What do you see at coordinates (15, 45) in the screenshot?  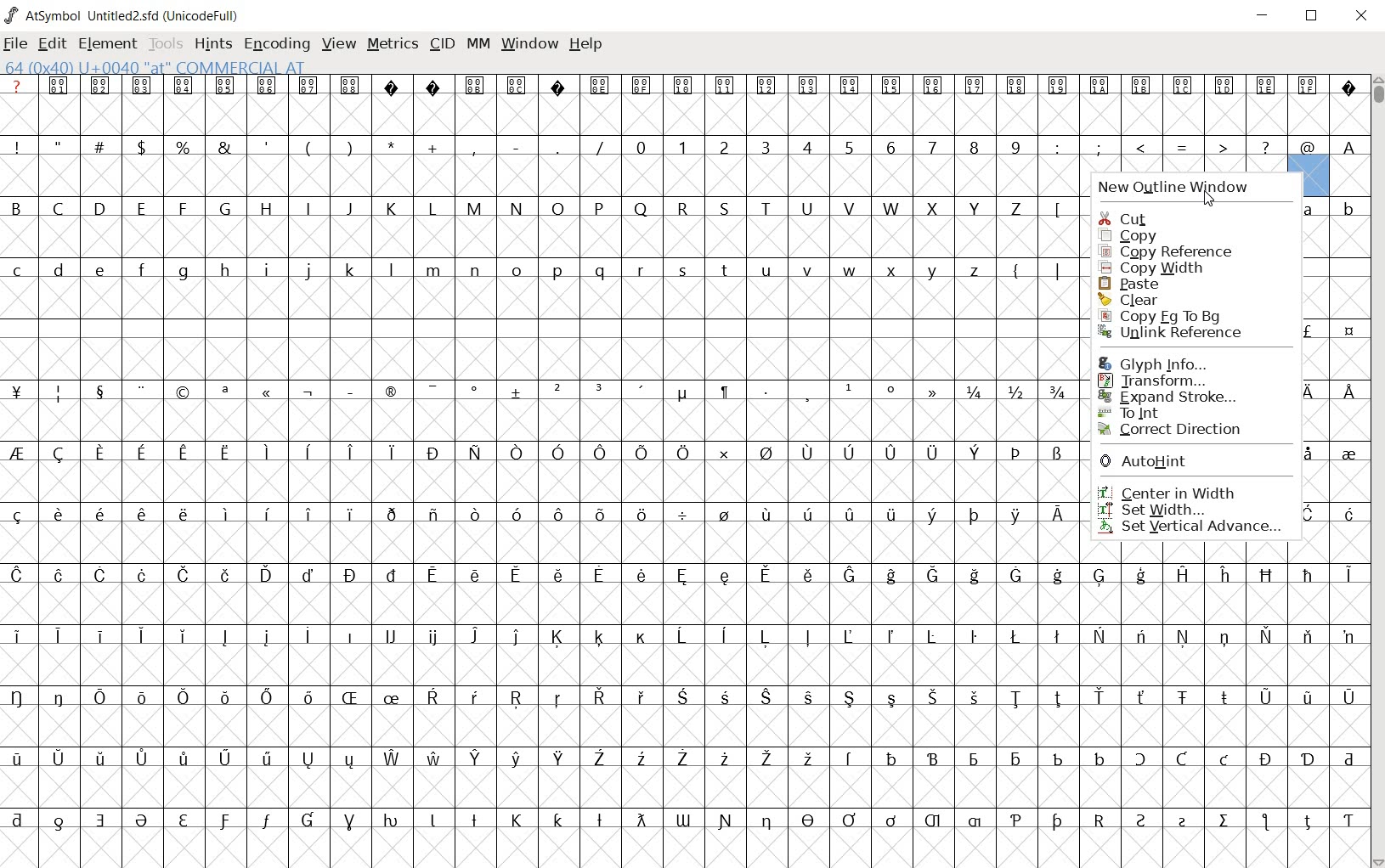 I see `FILE` at bounding box center [15, 45].